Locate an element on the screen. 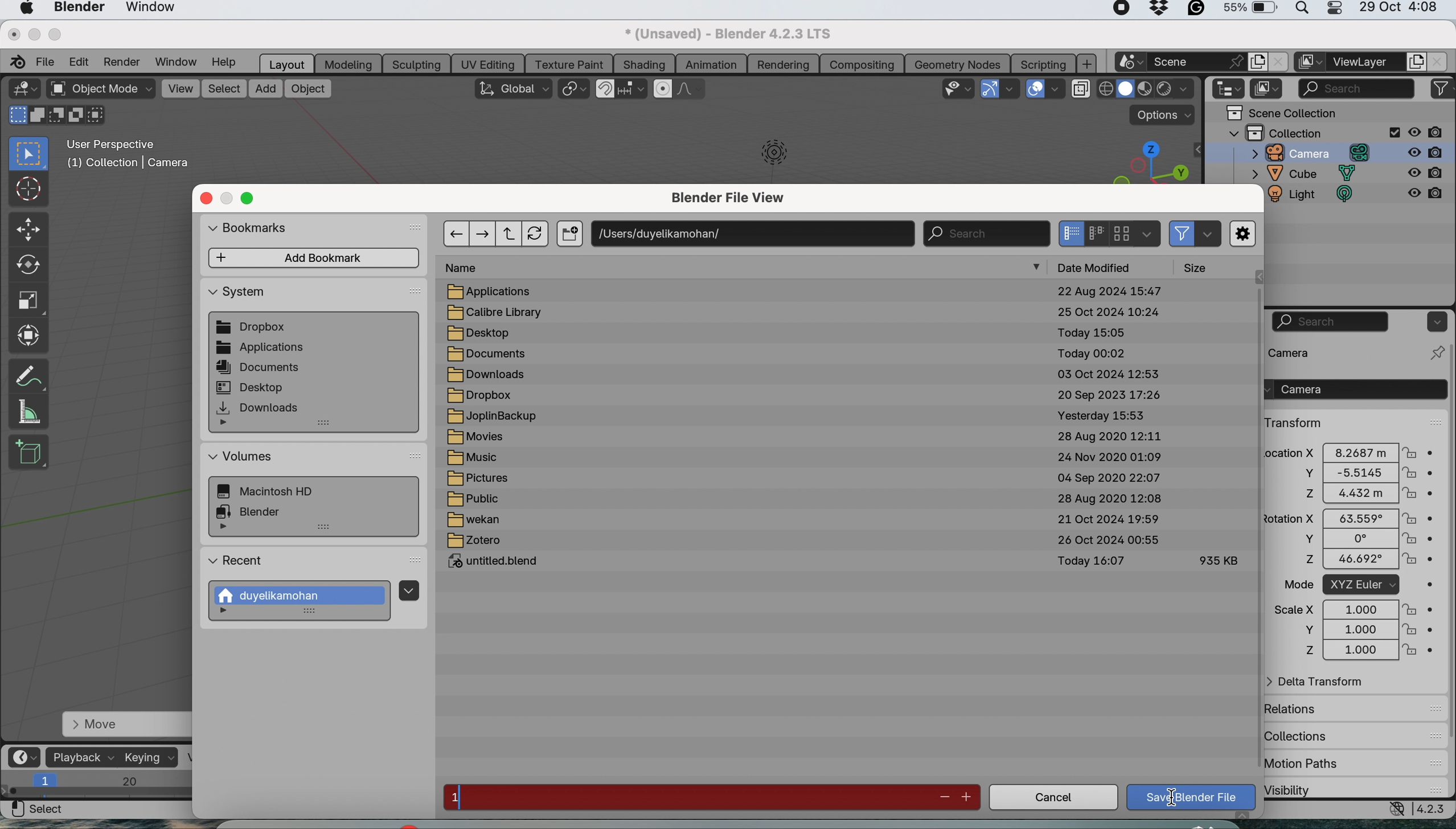 The height and width of the screenshot is (829, 1456). pictures is located at coordinates (484, 479).